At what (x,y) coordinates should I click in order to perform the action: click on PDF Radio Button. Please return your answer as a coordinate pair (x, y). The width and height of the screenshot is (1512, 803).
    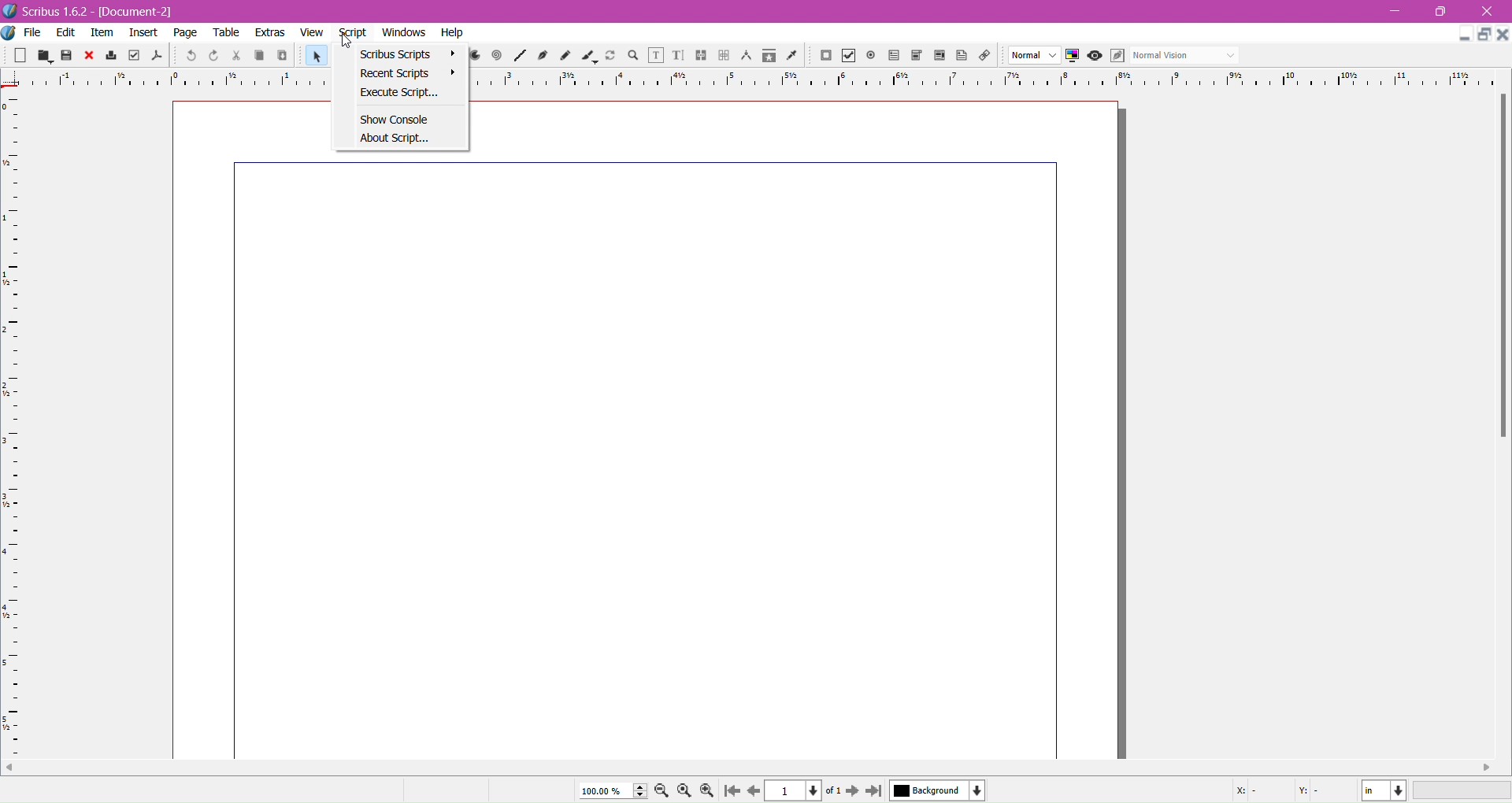
    Looking at the image, I should click on (871, 56).